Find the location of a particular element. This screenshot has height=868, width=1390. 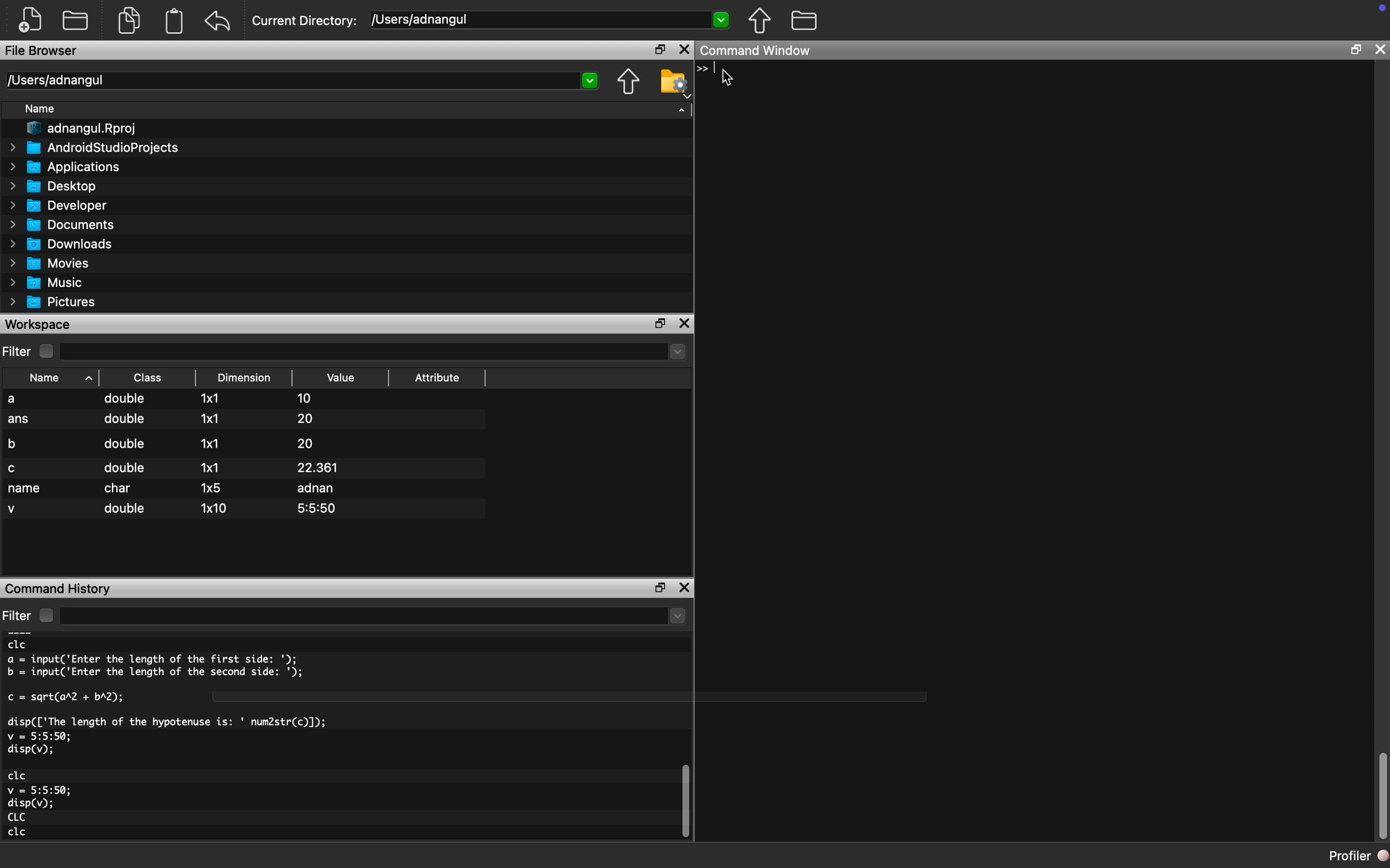

Copy is located at coordinates (130, 18).